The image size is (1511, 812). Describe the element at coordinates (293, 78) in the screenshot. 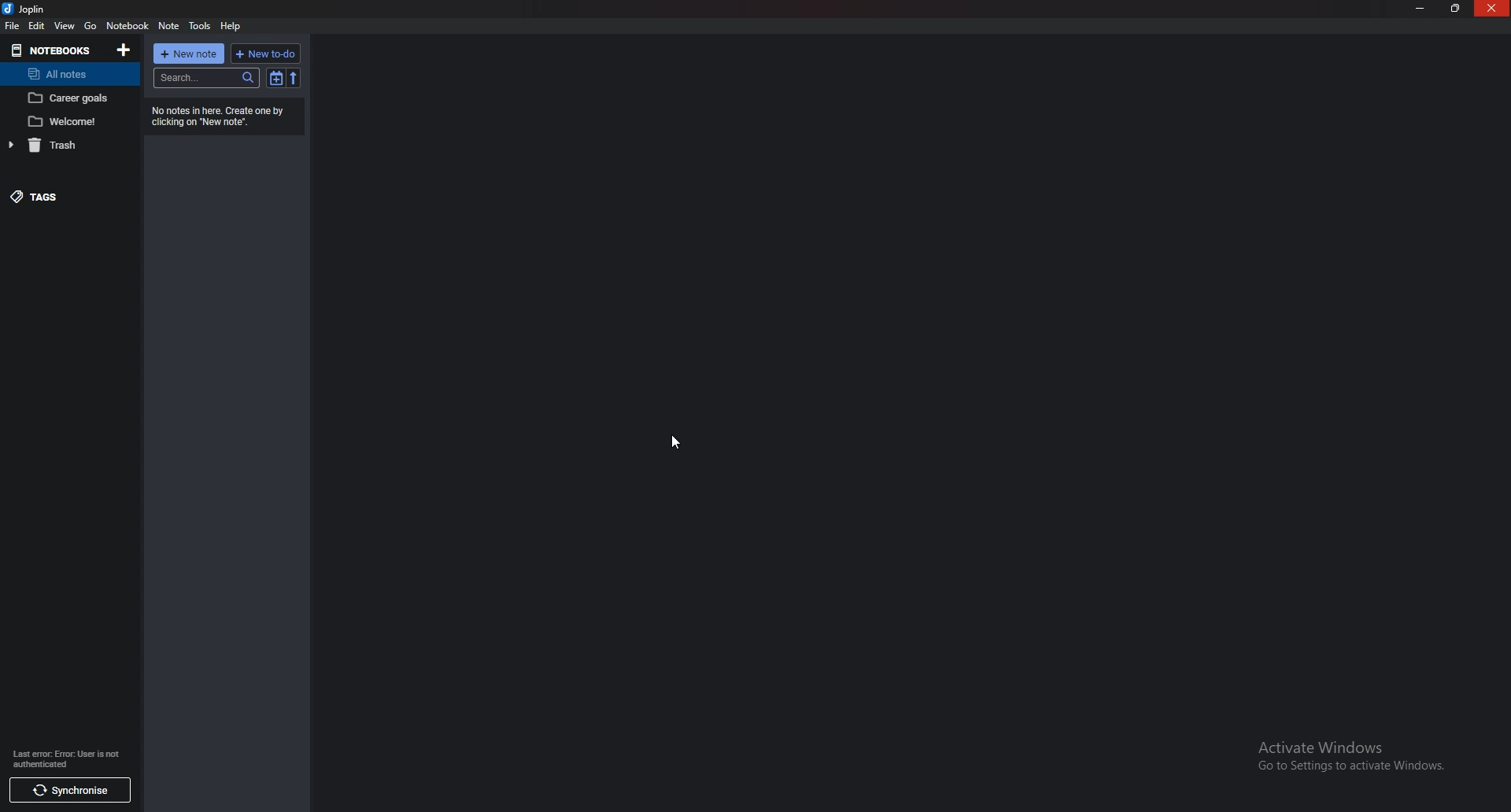

I see `Reverse sort` at that location.